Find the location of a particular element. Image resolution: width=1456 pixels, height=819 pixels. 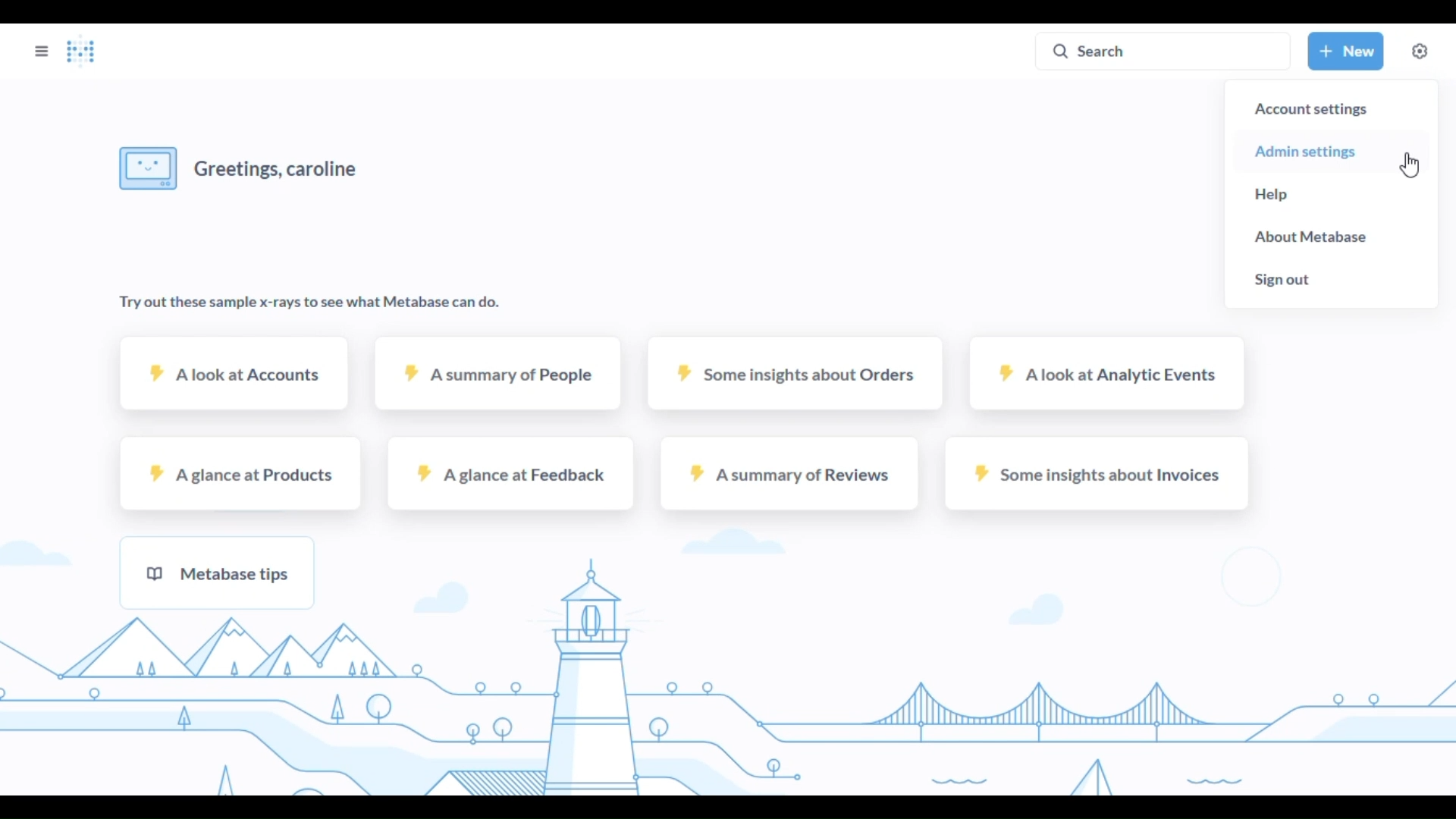

metabase tips is located at coordinates (217, 572).